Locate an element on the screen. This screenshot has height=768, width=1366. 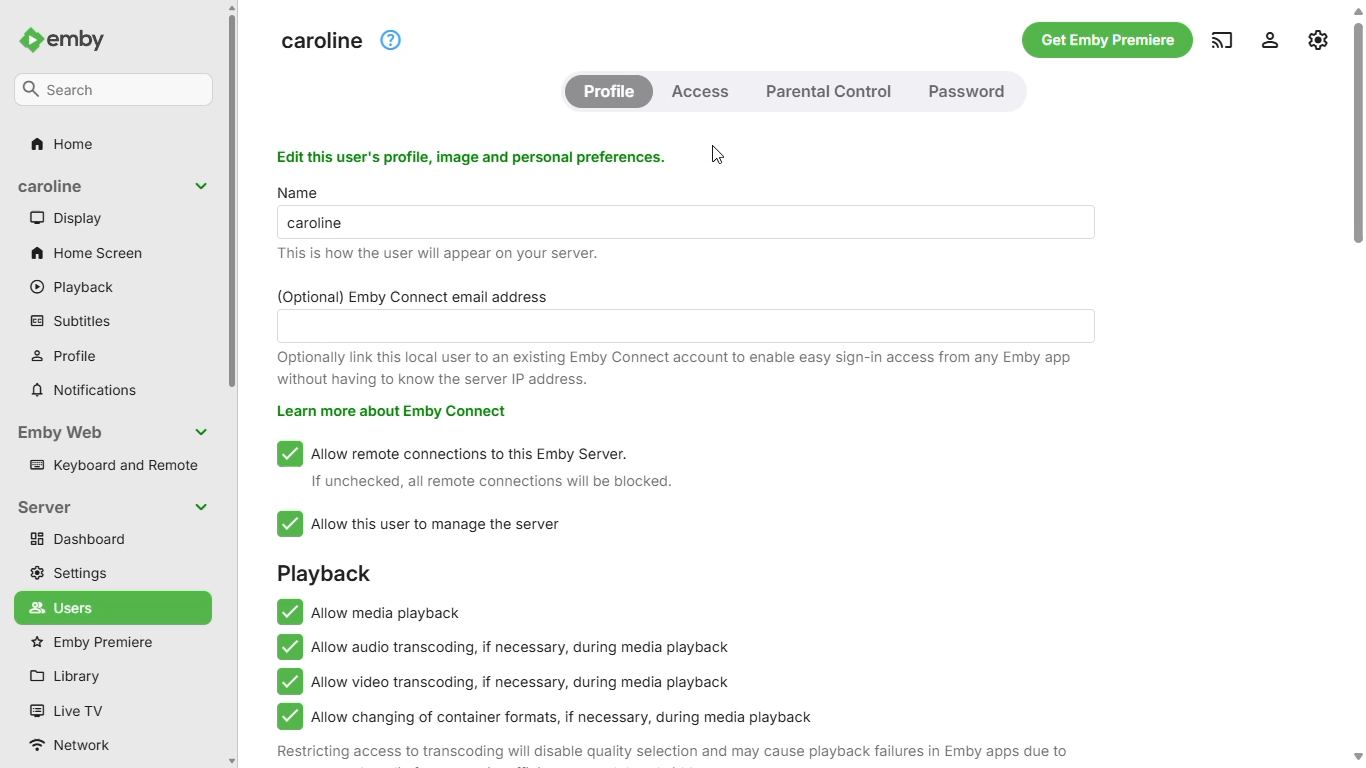
search bar is located at coordinates (114, 91).